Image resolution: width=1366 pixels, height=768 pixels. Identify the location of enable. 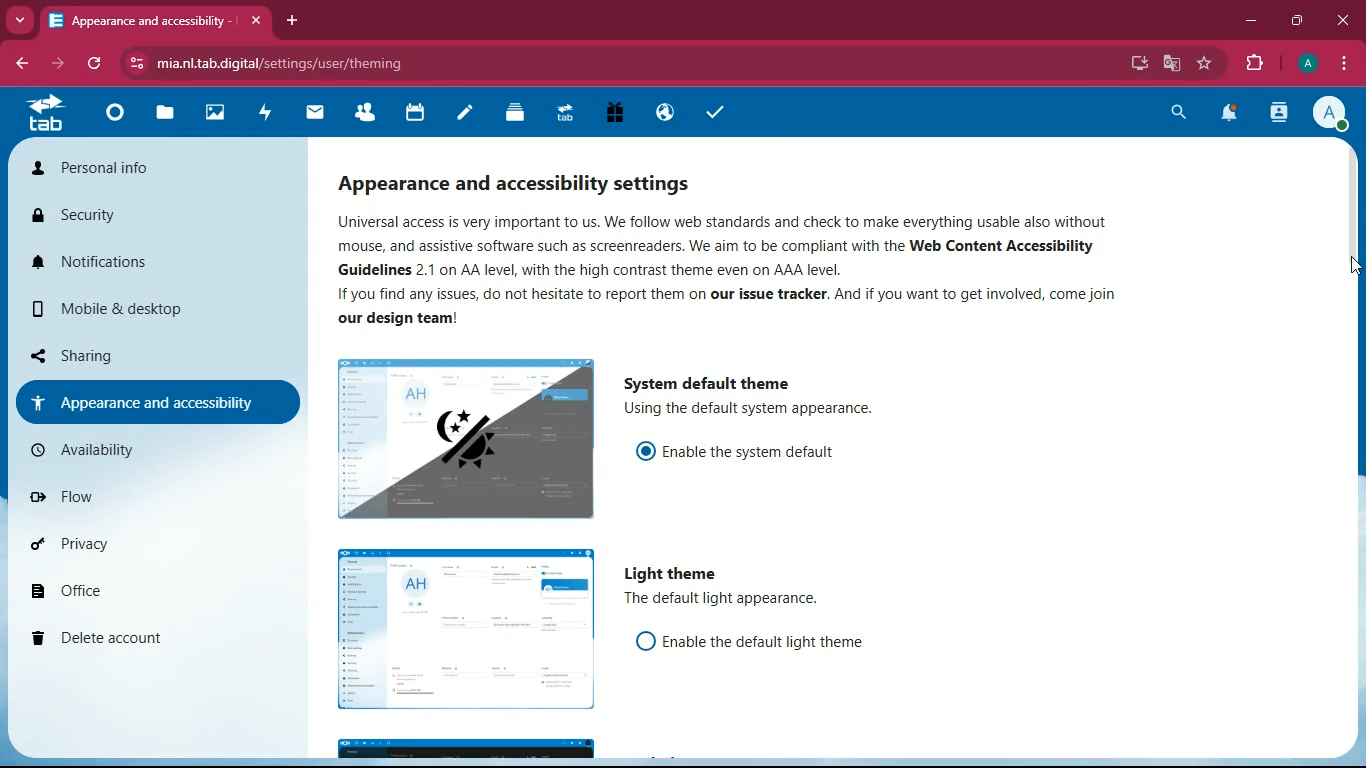
(758, 451).